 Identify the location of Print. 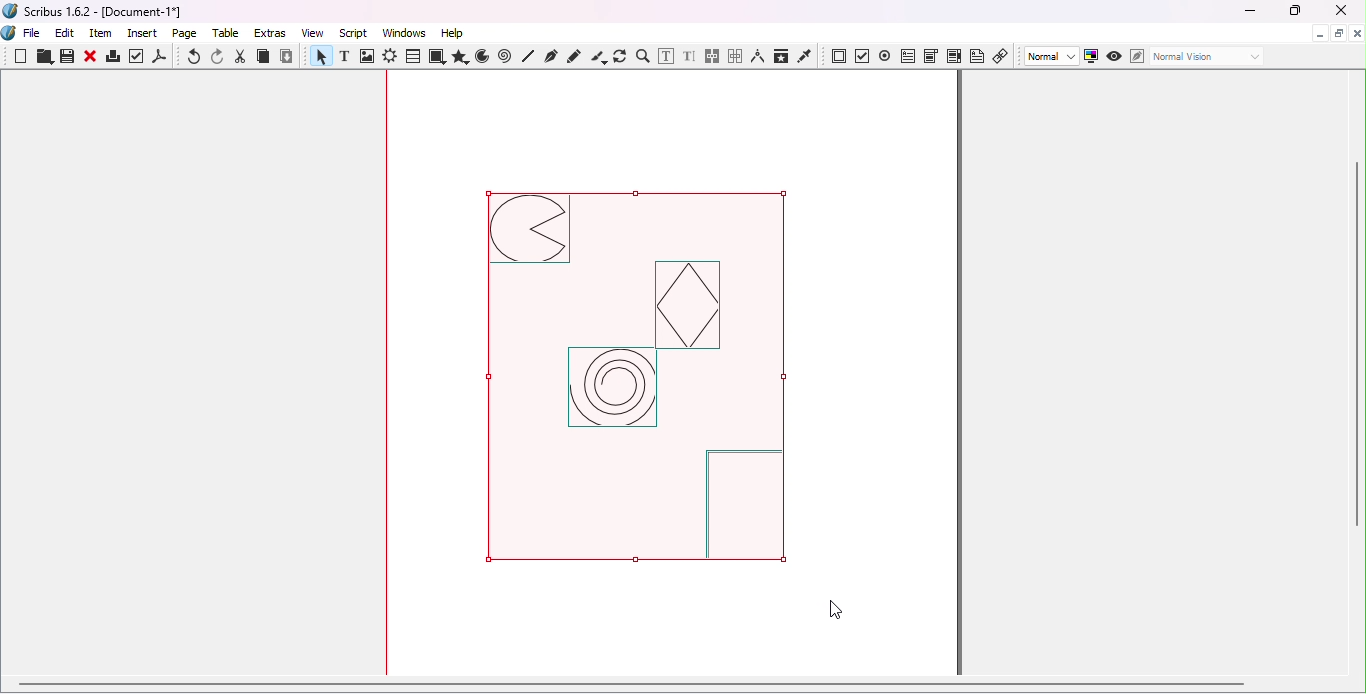
(112, 59).